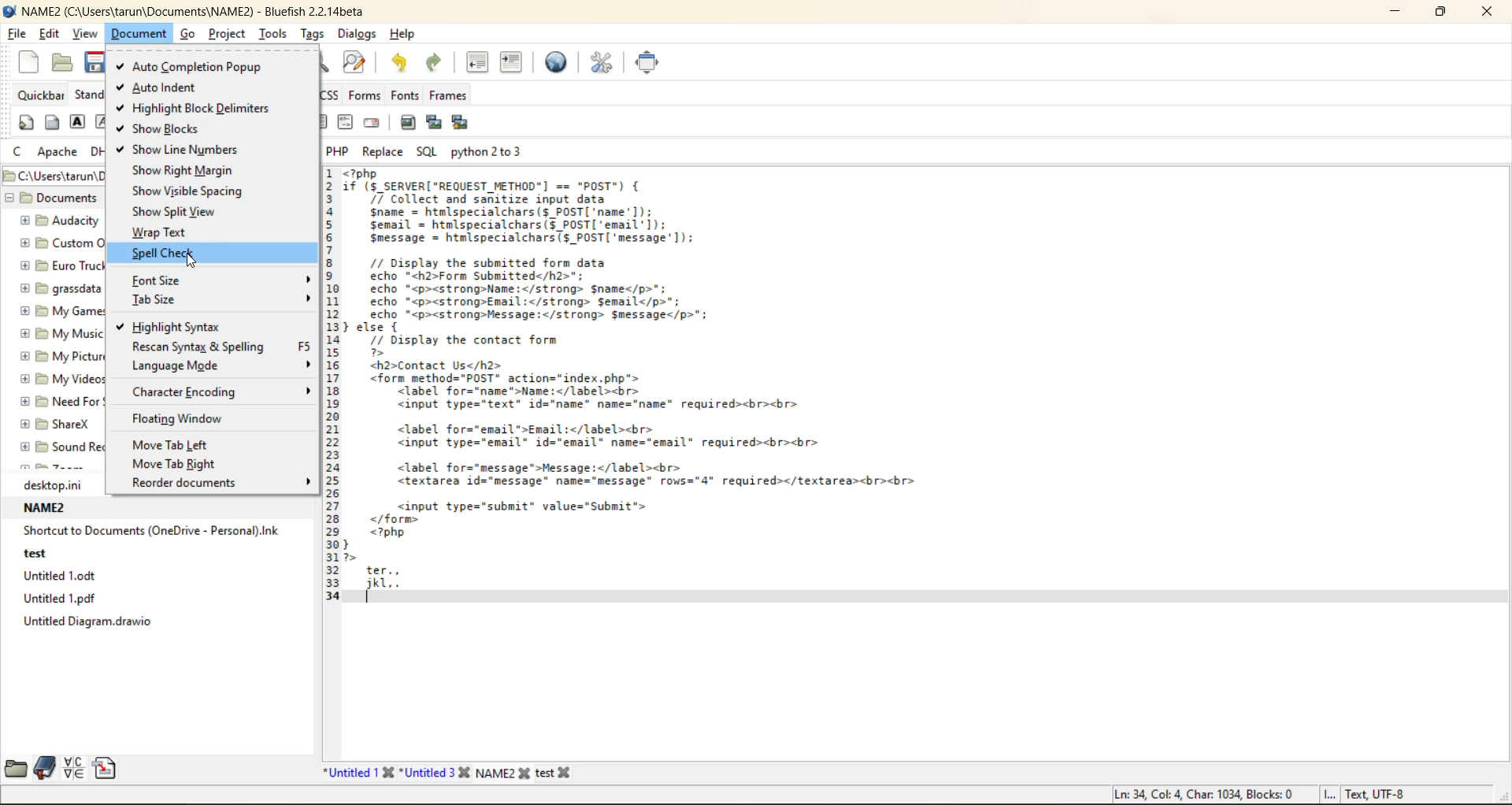 The image size is (1512, 805). What do you see at coordinates (178, 171) in the screenshot?
I see `show right margin` at bounding box center [178, 171].